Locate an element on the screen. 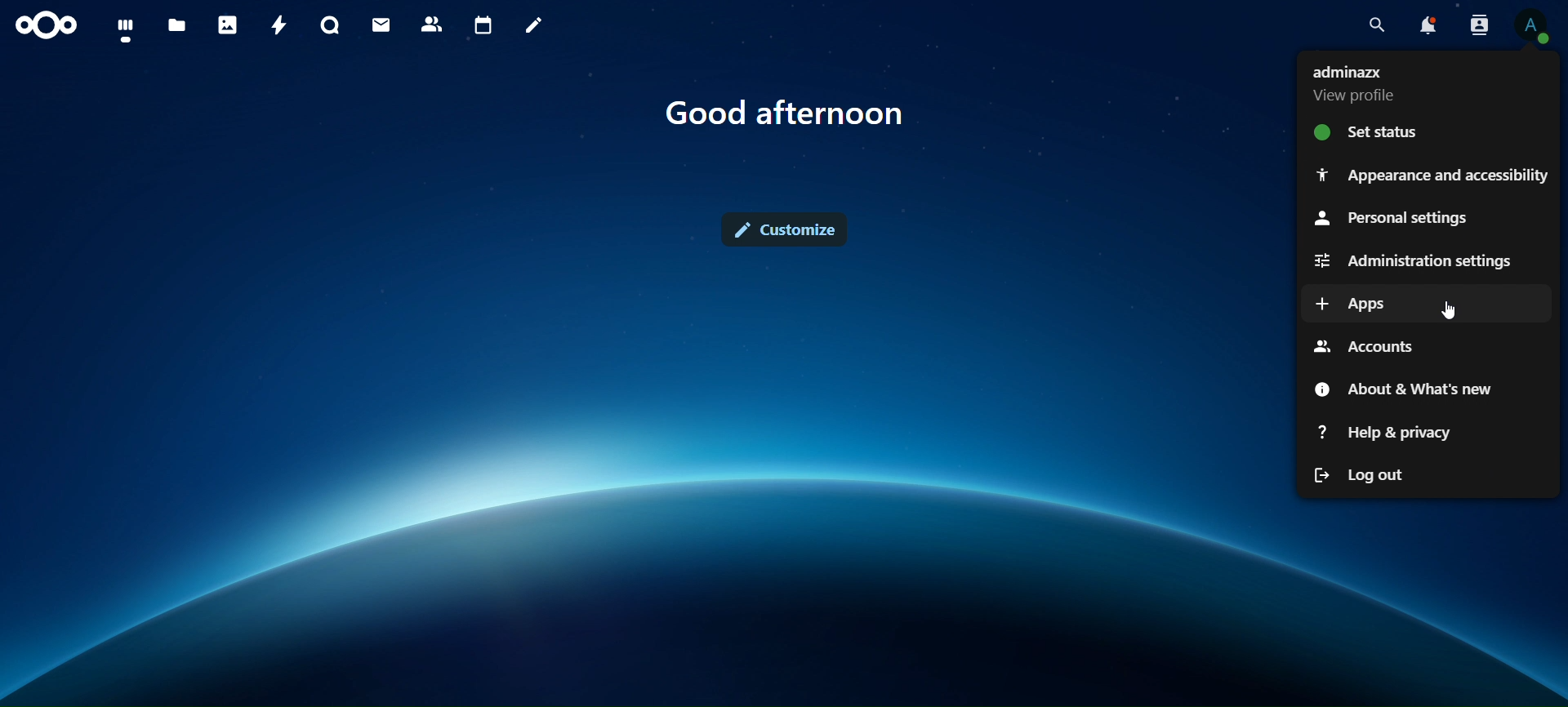  photos is located at coordinates (227, 24).